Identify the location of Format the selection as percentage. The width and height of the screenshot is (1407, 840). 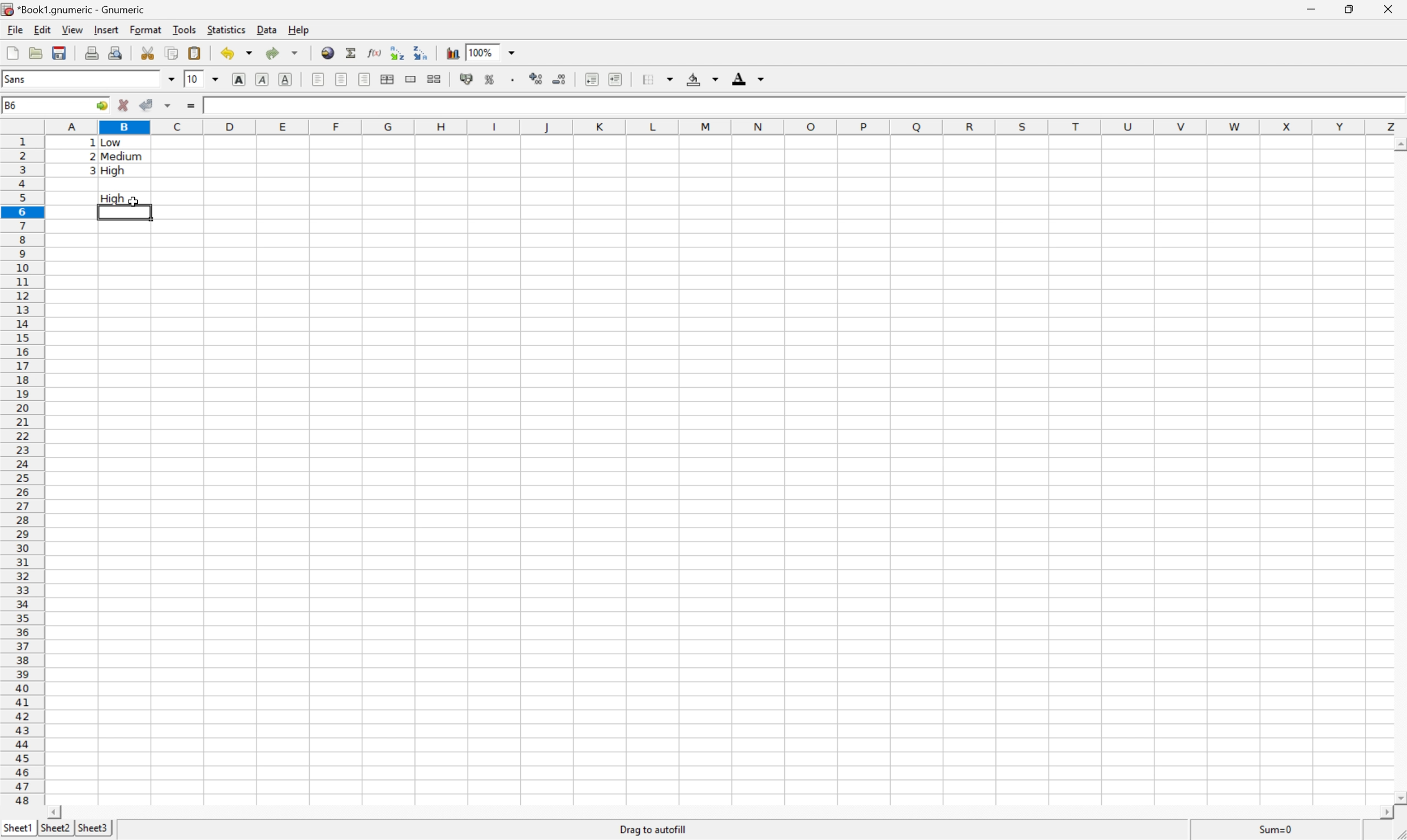
(488, 80).